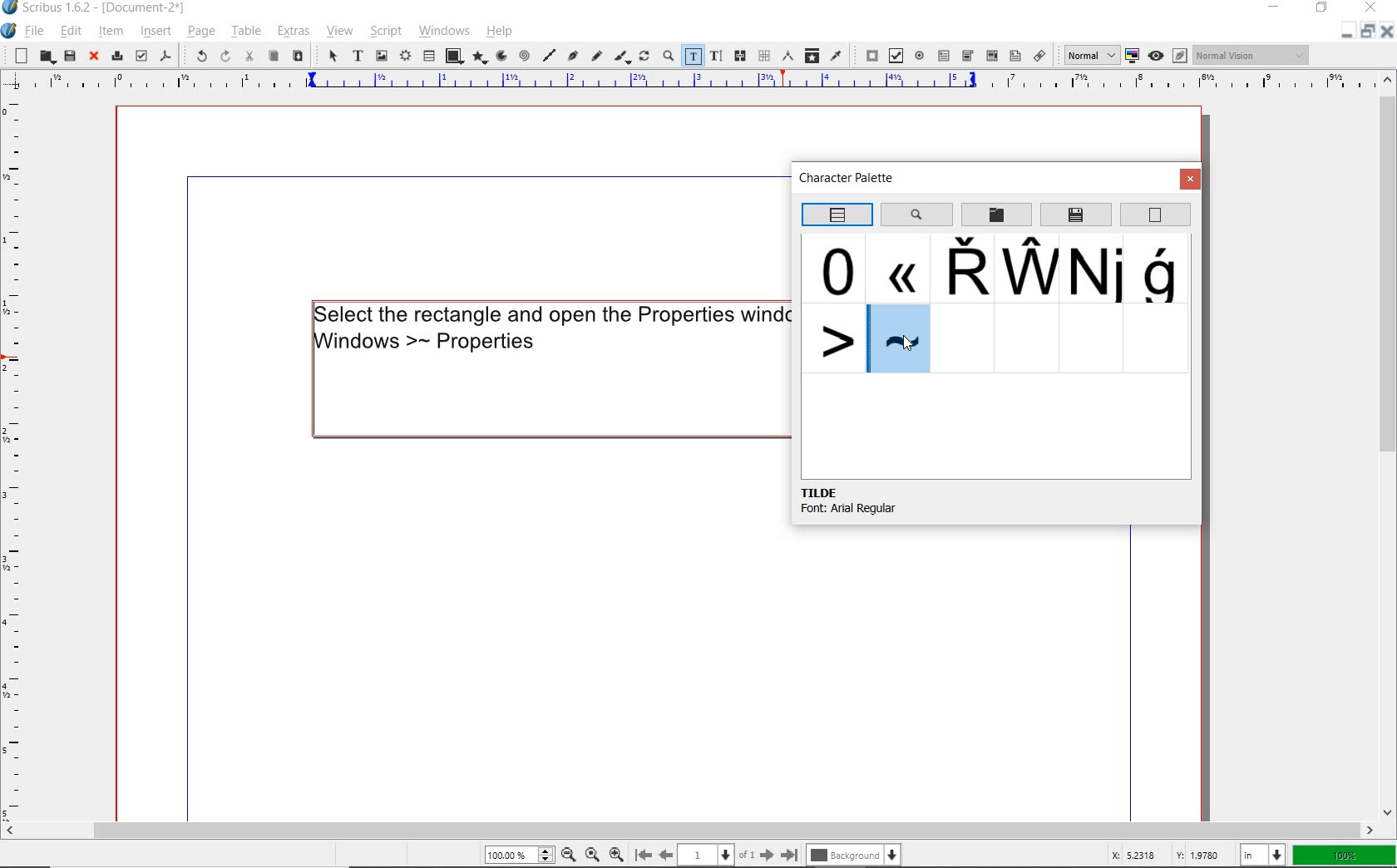  What do you see at coordinates (296, 32) in the screenshot?
I see `extras` at bounding box center [296, 32].